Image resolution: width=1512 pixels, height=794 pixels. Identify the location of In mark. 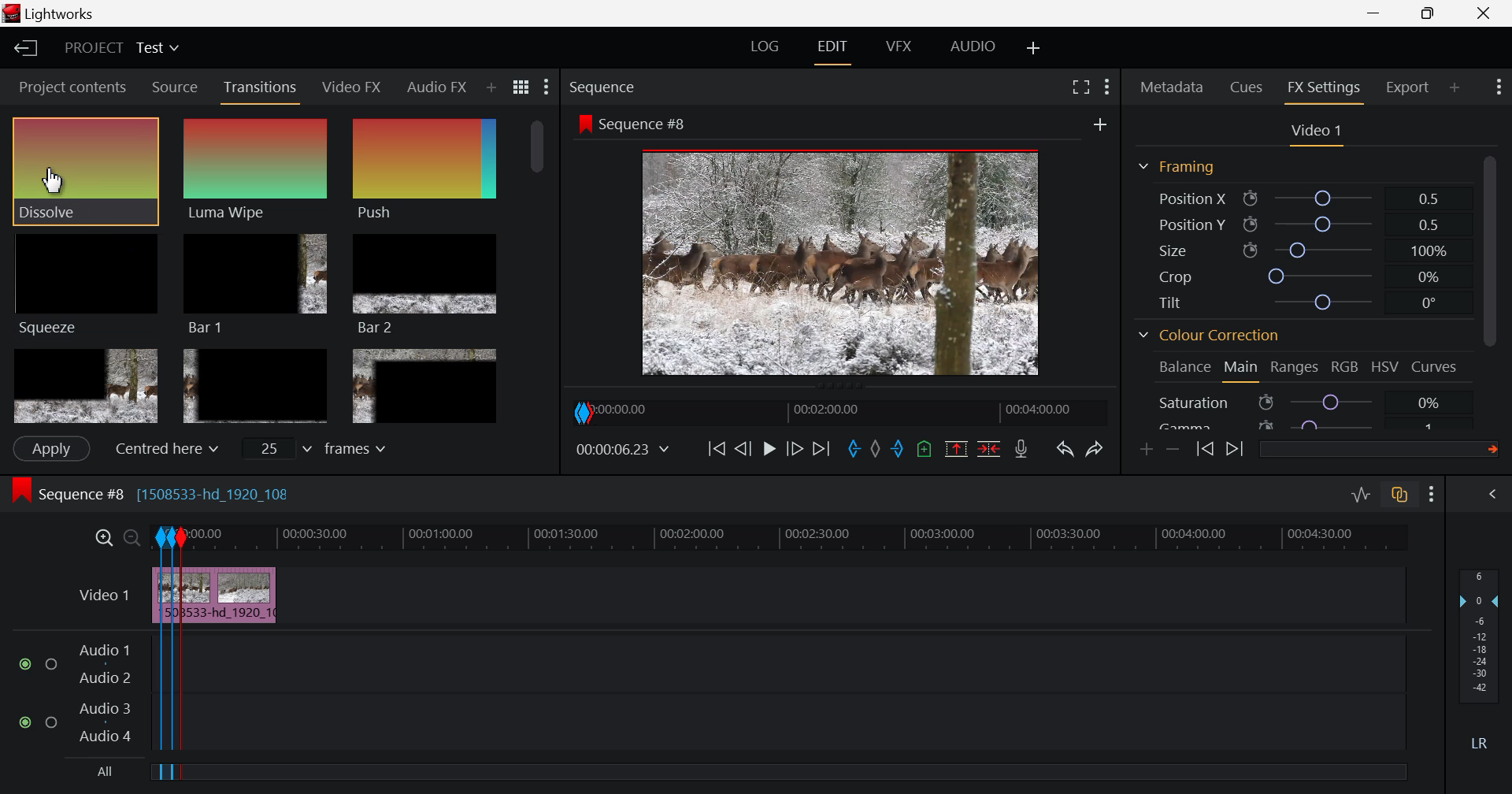
(851, 450).